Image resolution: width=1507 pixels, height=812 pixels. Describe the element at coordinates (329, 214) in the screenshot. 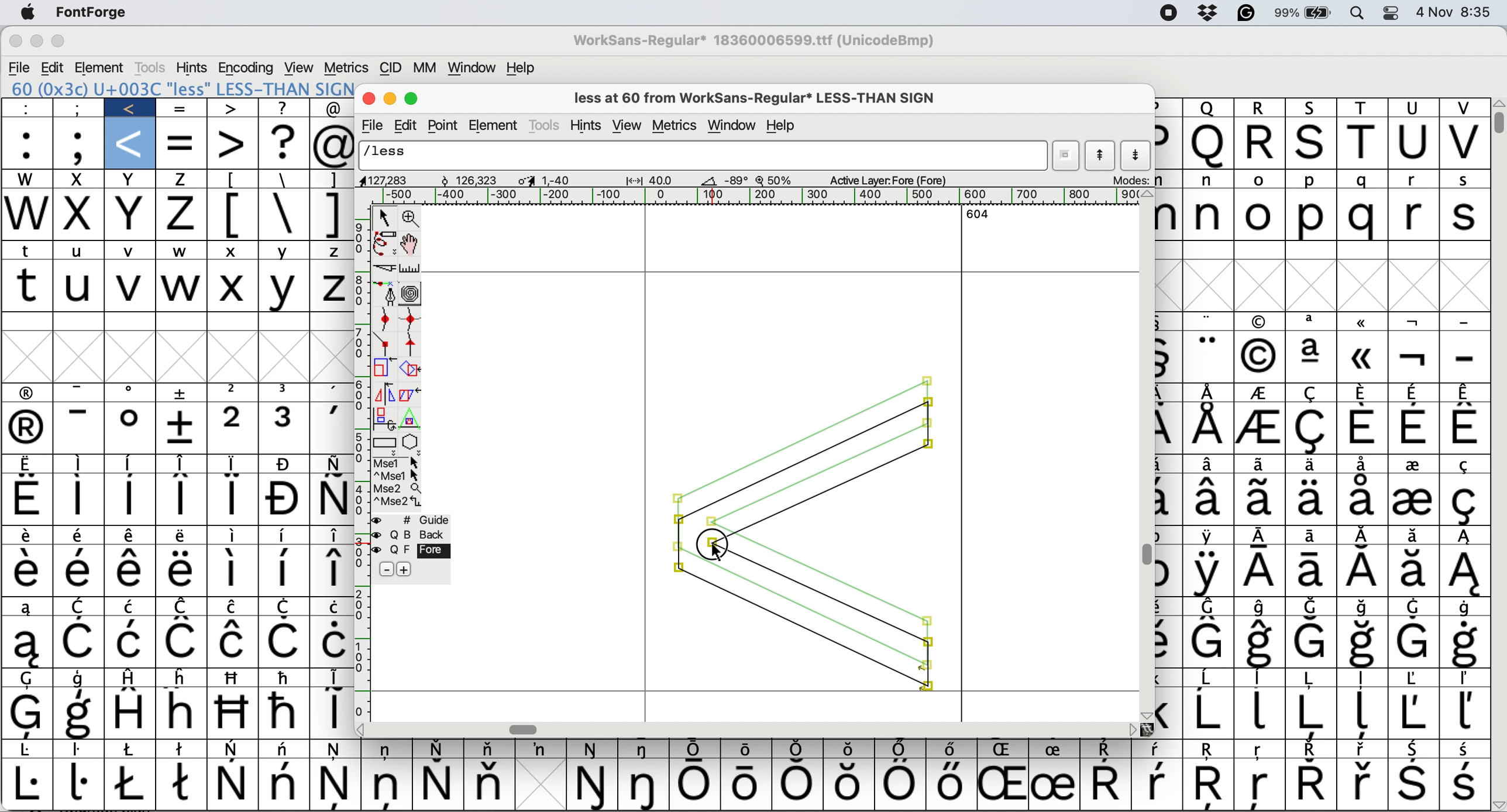

I see `]` at that location.